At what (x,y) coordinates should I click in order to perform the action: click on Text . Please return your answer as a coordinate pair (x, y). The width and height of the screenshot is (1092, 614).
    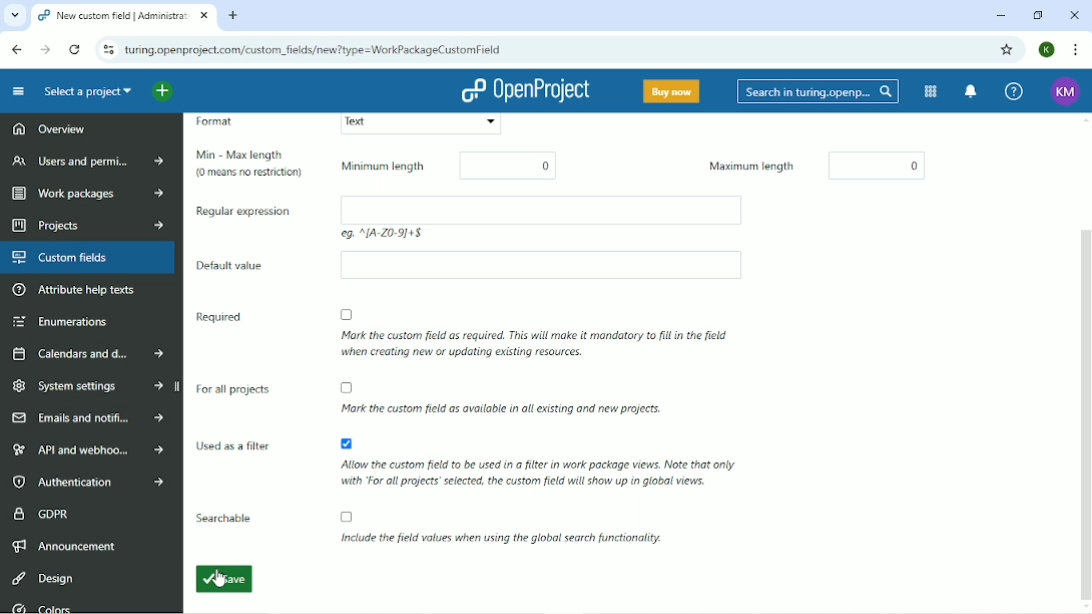
    Looking at the image, I should click on (420, 124).